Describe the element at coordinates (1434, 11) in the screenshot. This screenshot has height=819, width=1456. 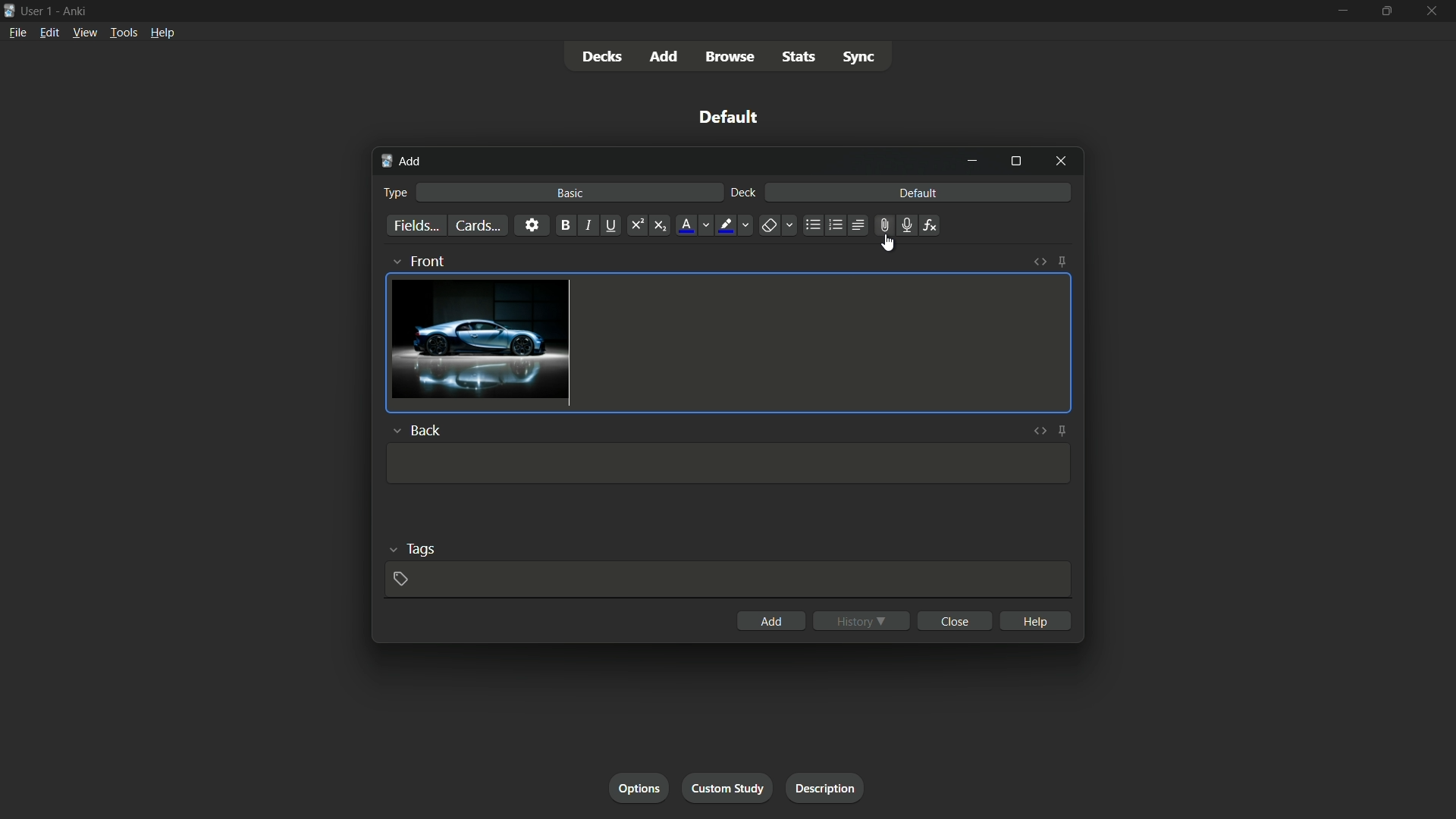
I see `close app` at that location.